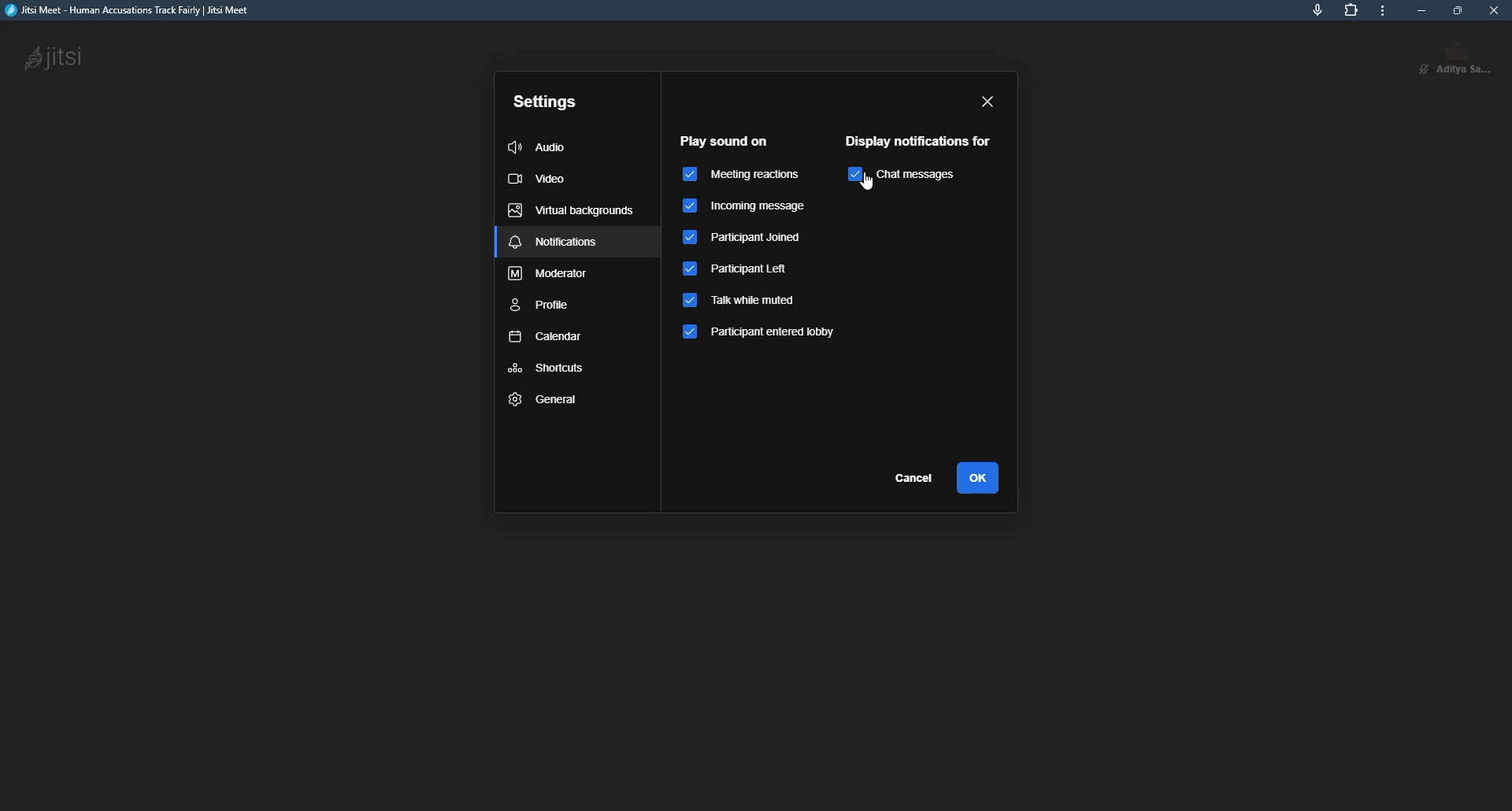 The height and width of the screenshot is (811, 1512). I want to click on video, so click(540, 179).